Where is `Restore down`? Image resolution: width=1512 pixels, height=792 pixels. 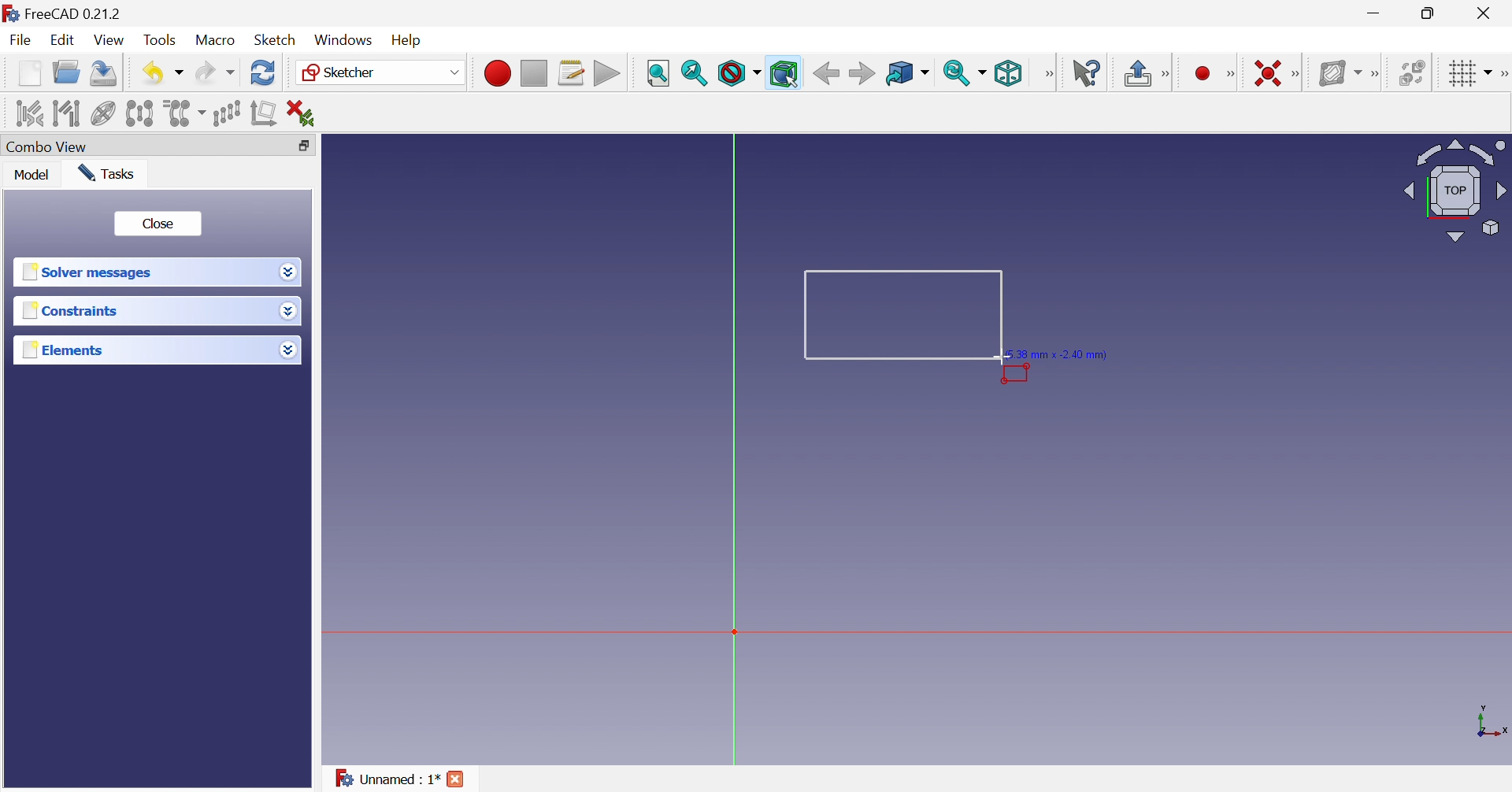 Restore down is located at coordinates (1432, 13).